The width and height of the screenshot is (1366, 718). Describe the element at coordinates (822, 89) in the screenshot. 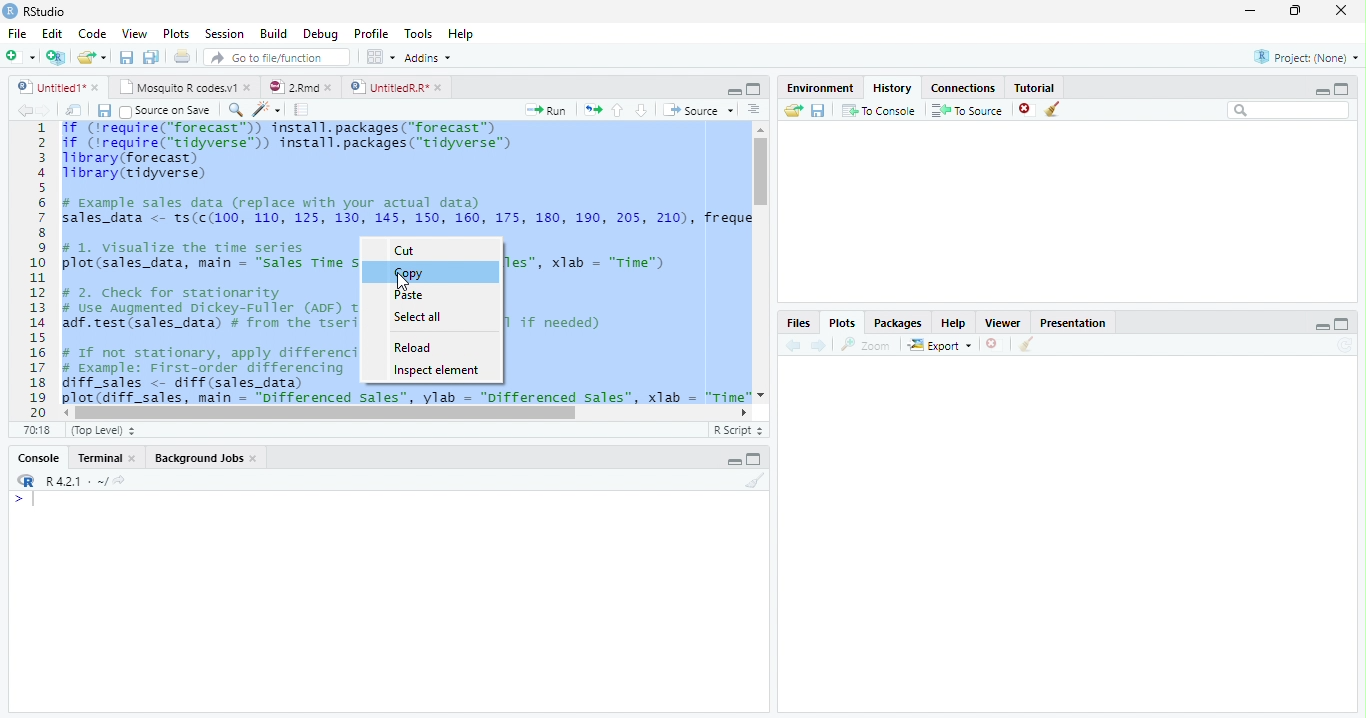

I see `Environment` at that location.